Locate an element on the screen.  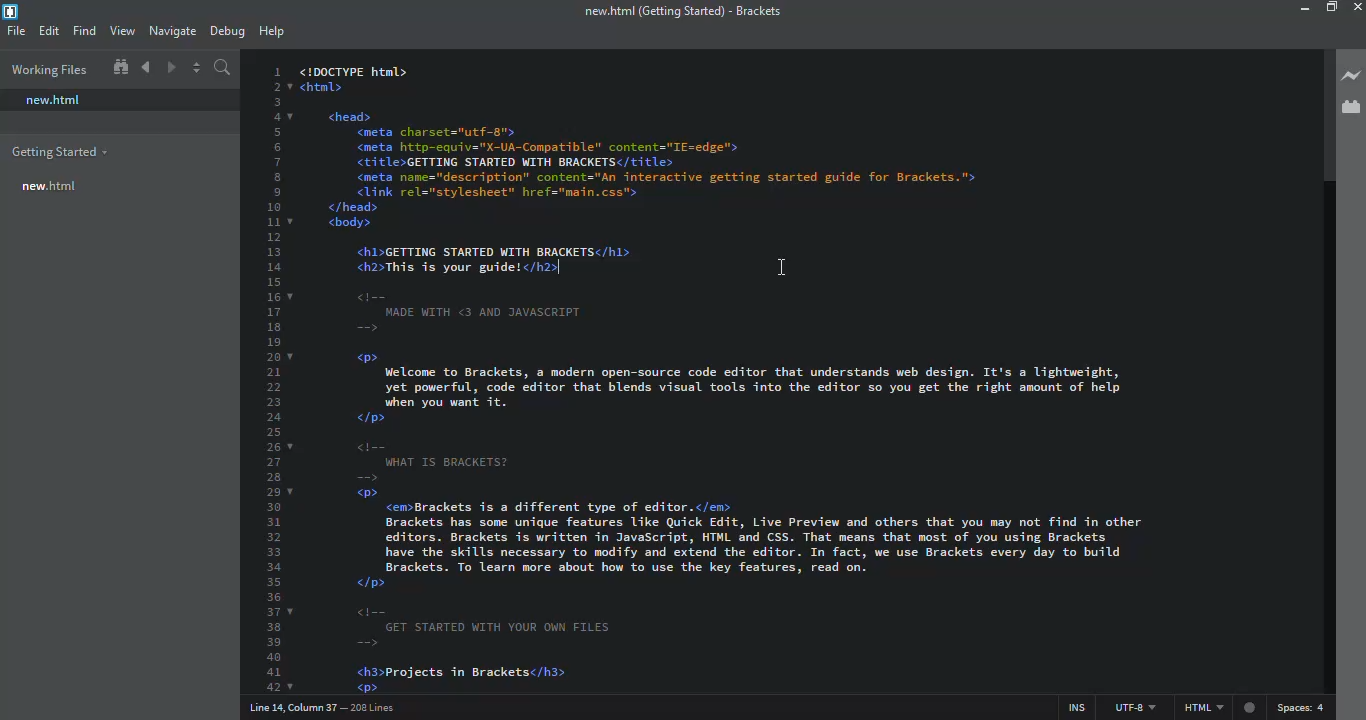
file is located at coordinates (16, 32).